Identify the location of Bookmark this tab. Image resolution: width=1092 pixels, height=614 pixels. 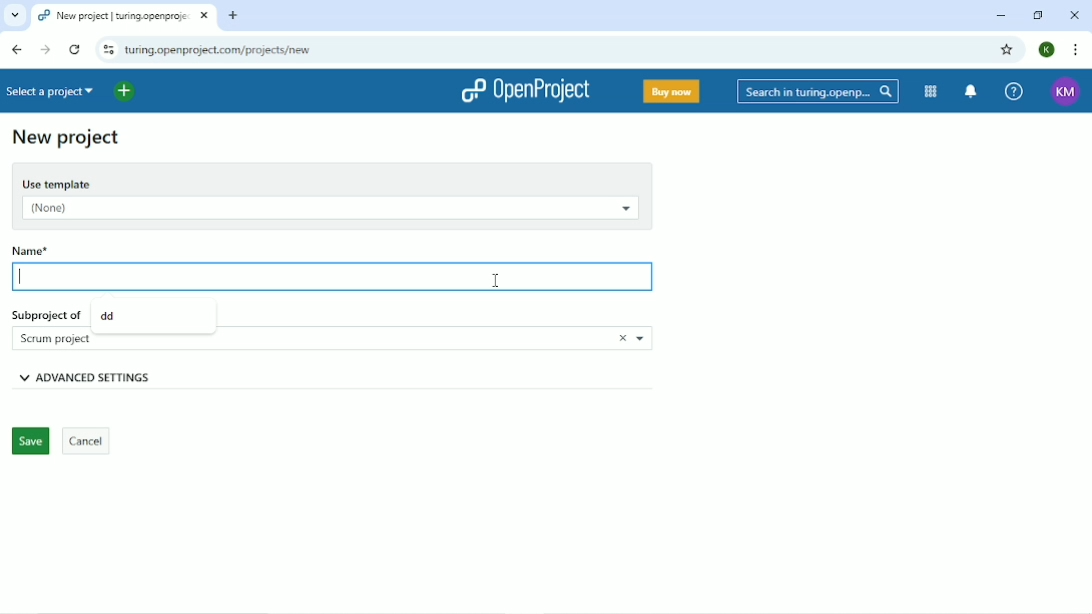
(1007, 49).